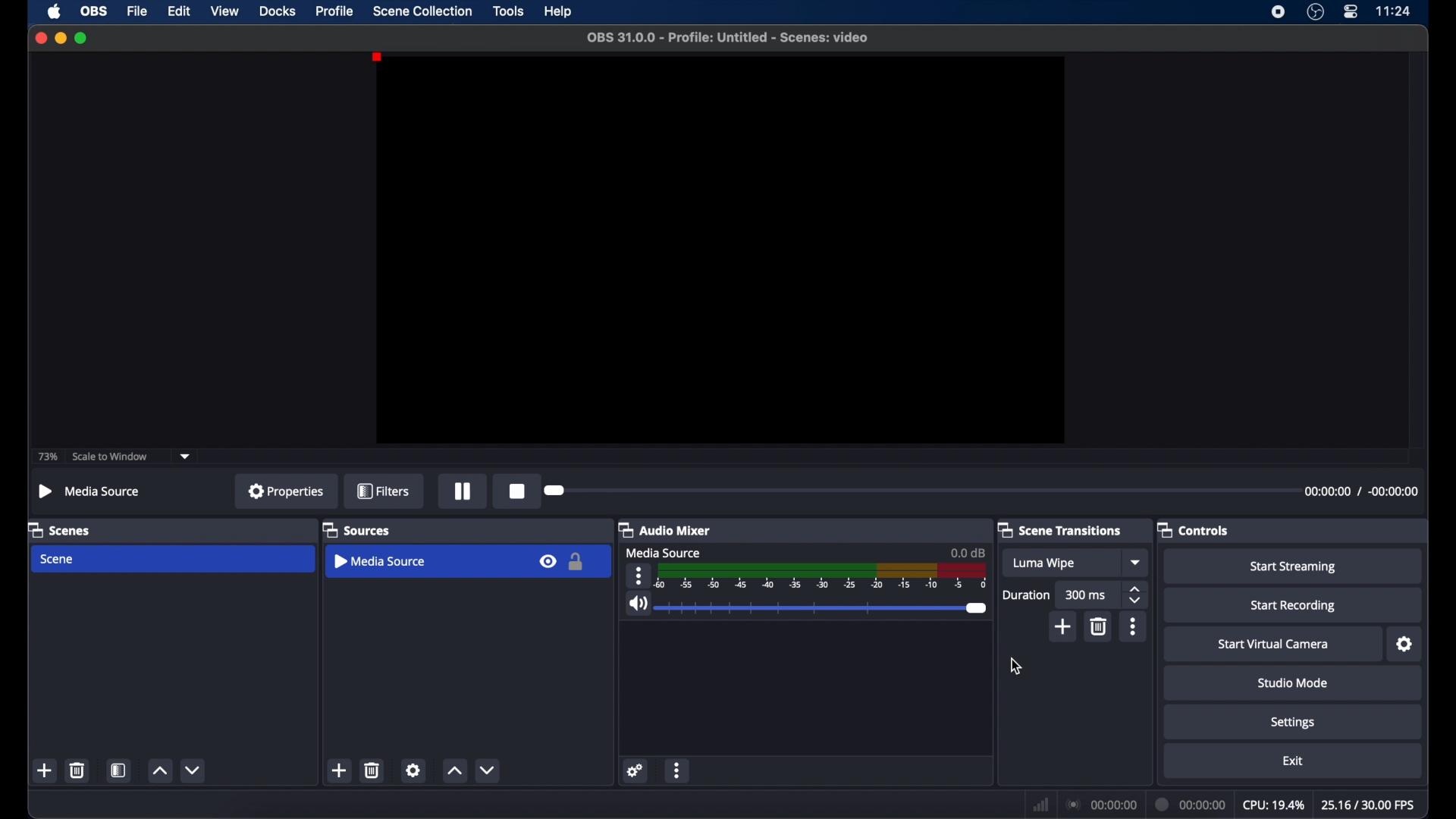  Describe the element at coordinates (1137, 562) in the screenshot. I see `dropdown` at that location.